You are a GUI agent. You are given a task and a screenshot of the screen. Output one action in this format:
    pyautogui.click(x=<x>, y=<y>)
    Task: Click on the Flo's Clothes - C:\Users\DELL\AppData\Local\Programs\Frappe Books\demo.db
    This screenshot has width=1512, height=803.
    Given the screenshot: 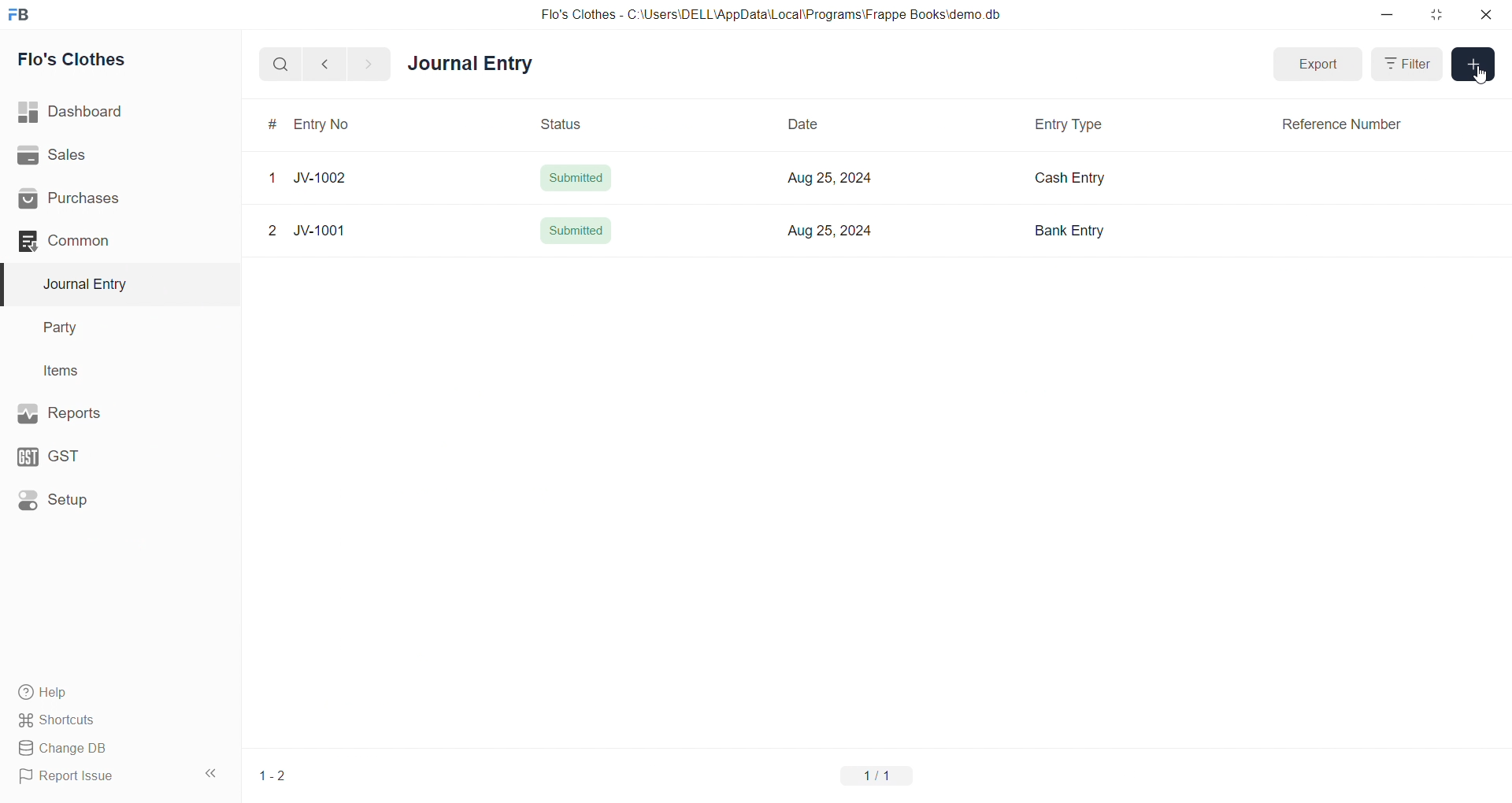 What is the action you would take?
    pyautogui.click(x=771, y=15)
    